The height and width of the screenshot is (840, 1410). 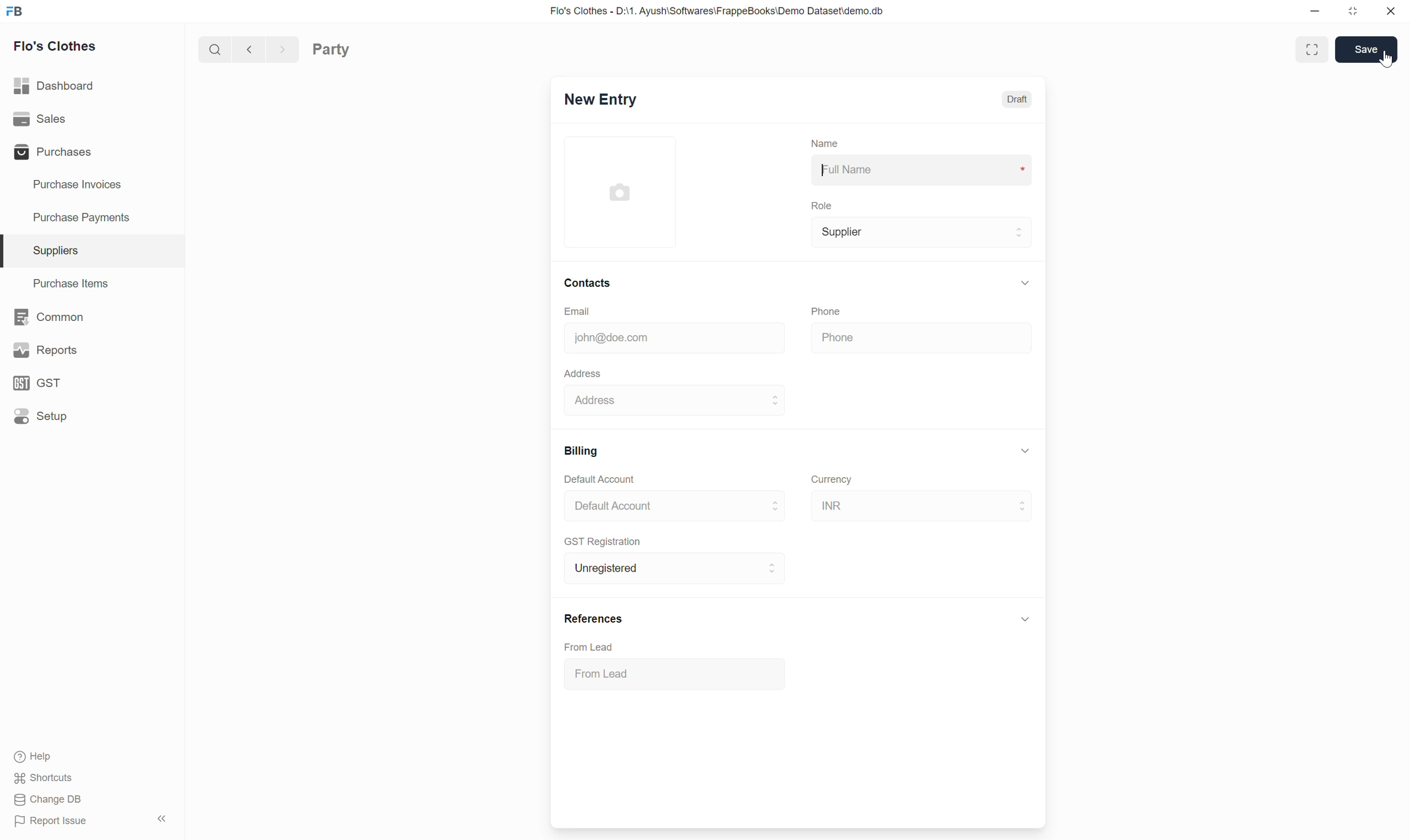 I want to click on Toggle between form and full width, so click(x=1311, y=49).